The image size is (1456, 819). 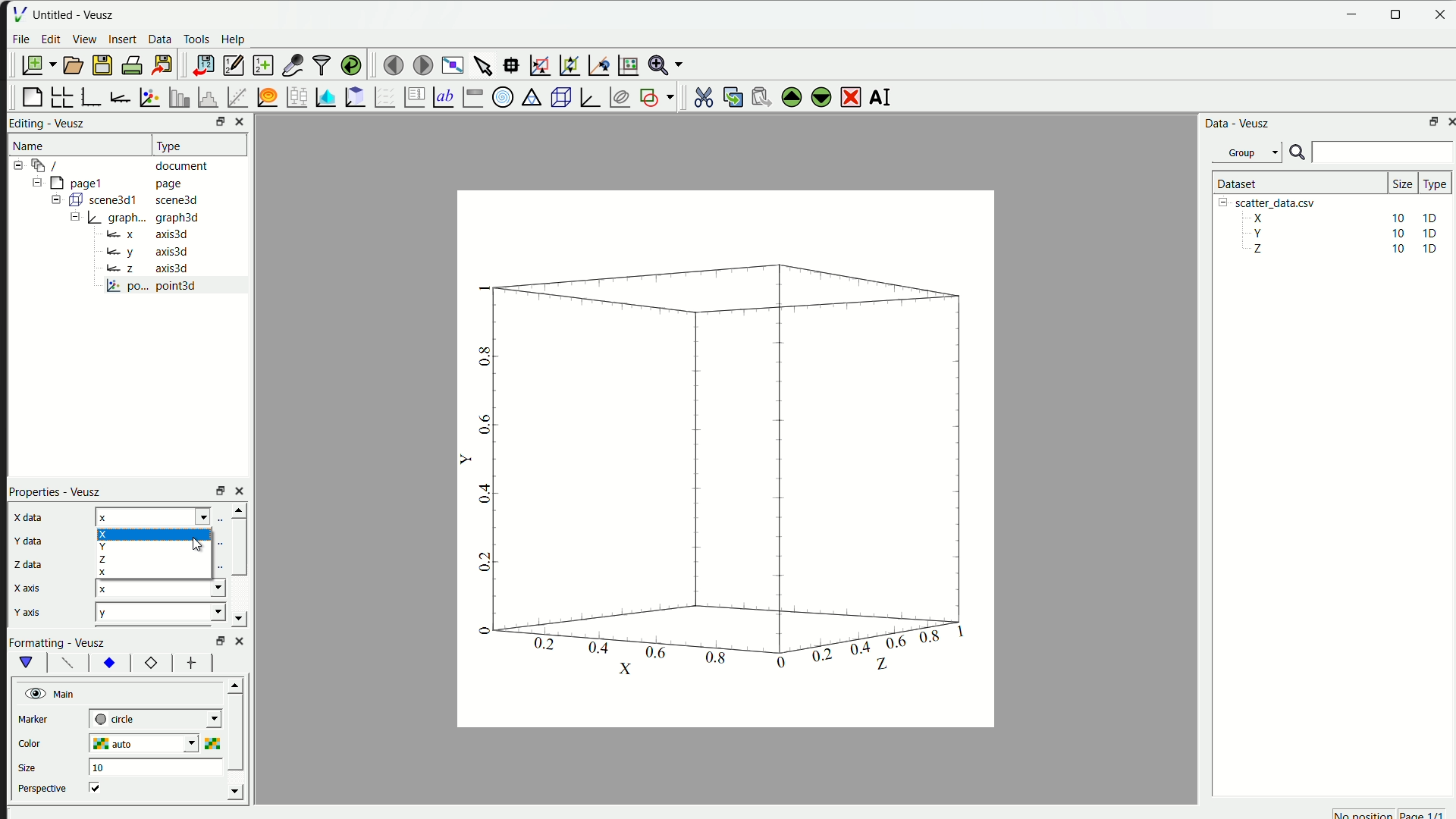 I want to click on close, so click(x=242, y=491).